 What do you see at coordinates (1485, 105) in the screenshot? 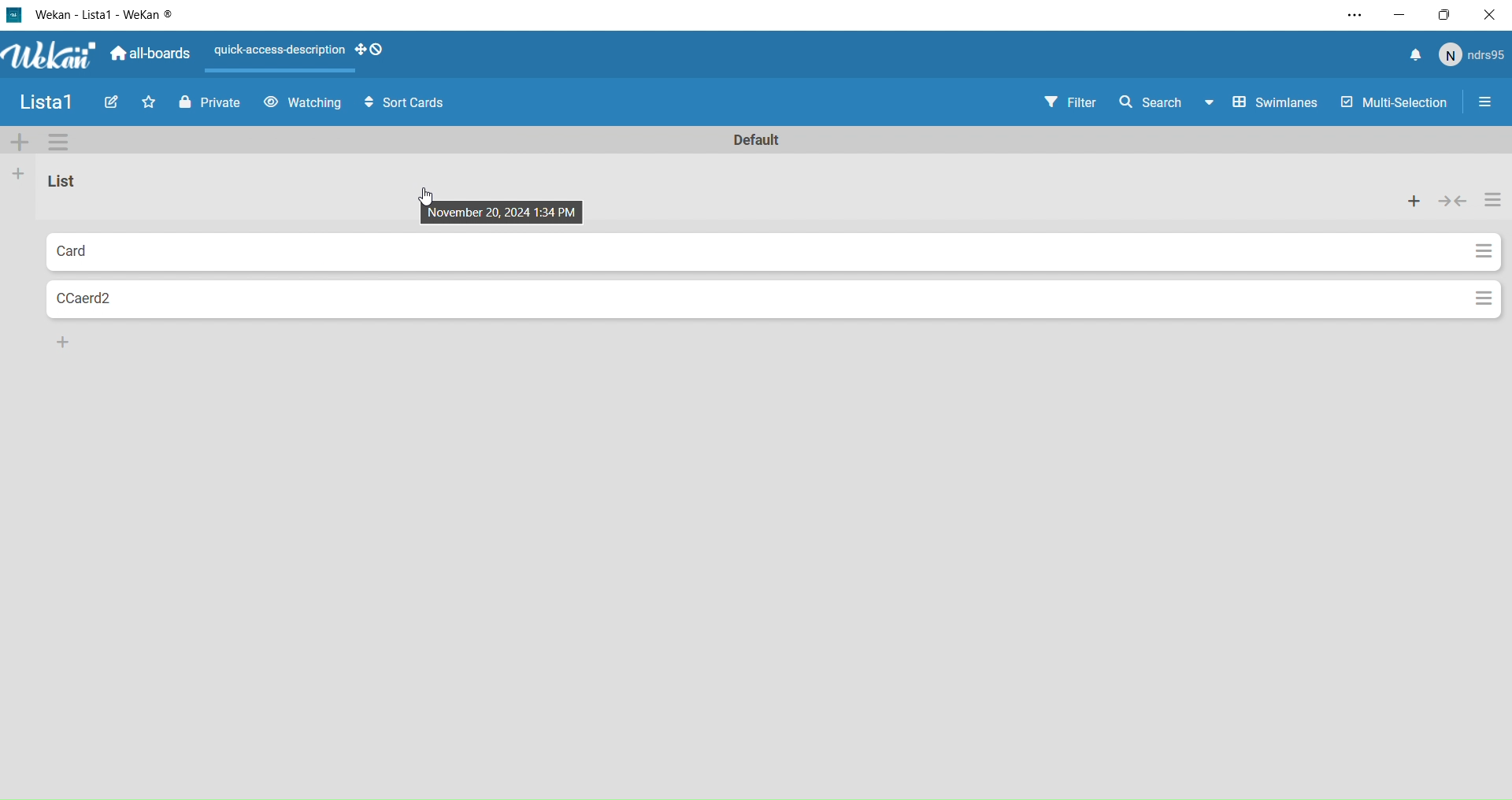
I see `Settings` at bounding box center [1485, 105].